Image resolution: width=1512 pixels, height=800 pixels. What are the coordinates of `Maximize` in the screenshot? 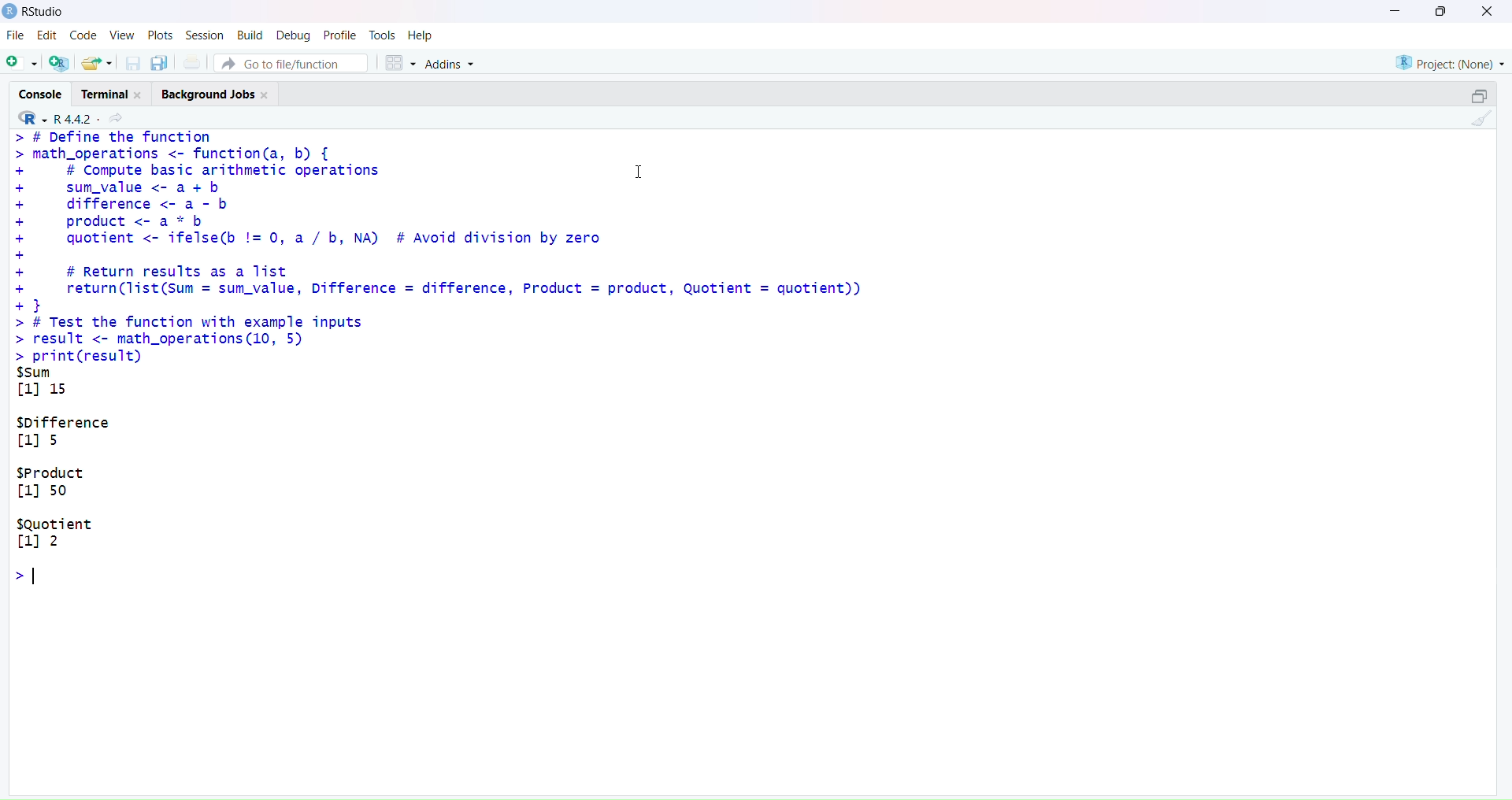 It's located at (1442, 12).